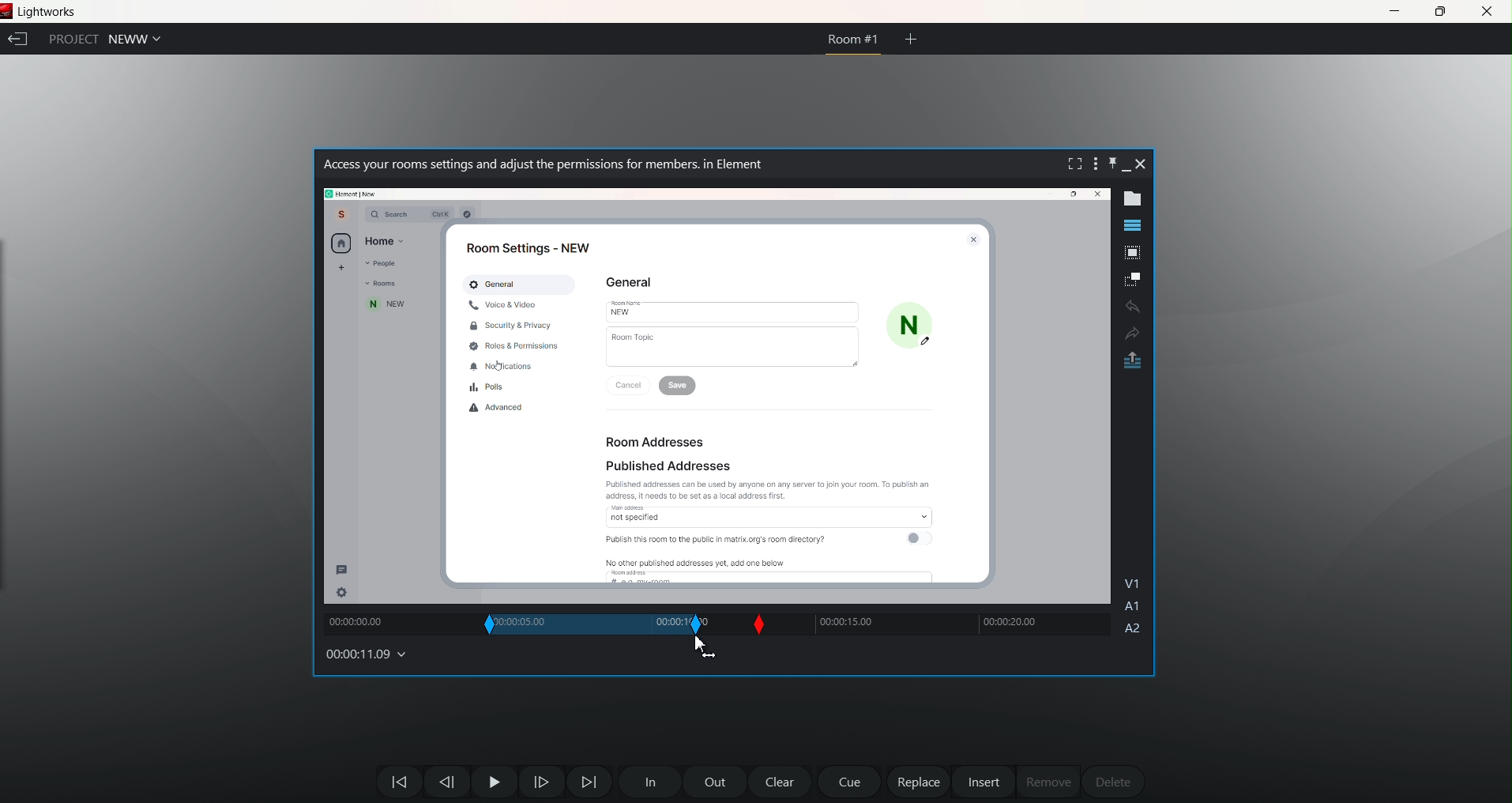 This screenshot has height=803, width=1512. Describe the element at coordinates (341, 591) in the screenshot. I see `setting` at that location.